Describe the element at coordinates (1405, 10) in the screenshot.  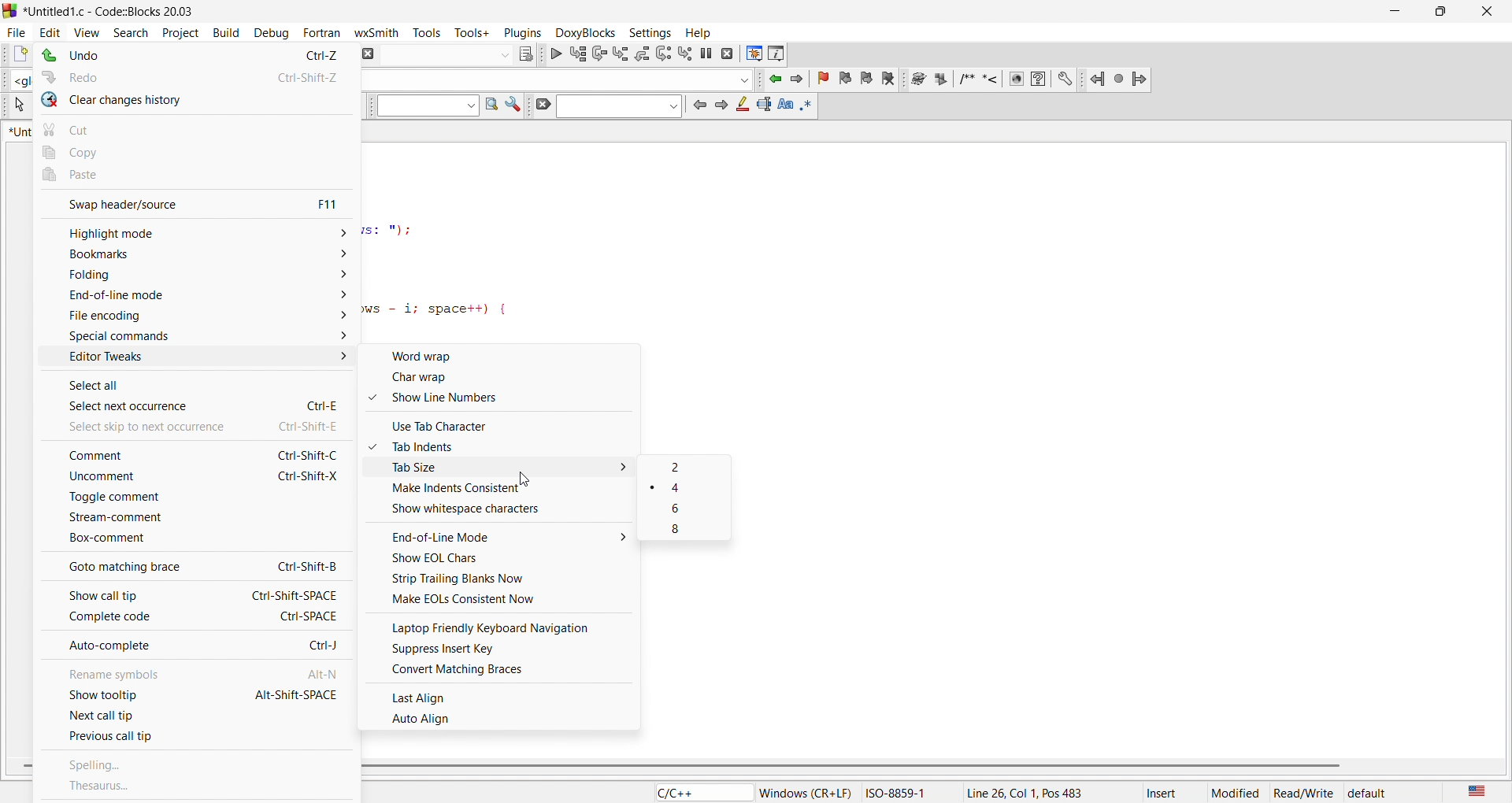
I see `minimize` at that location.